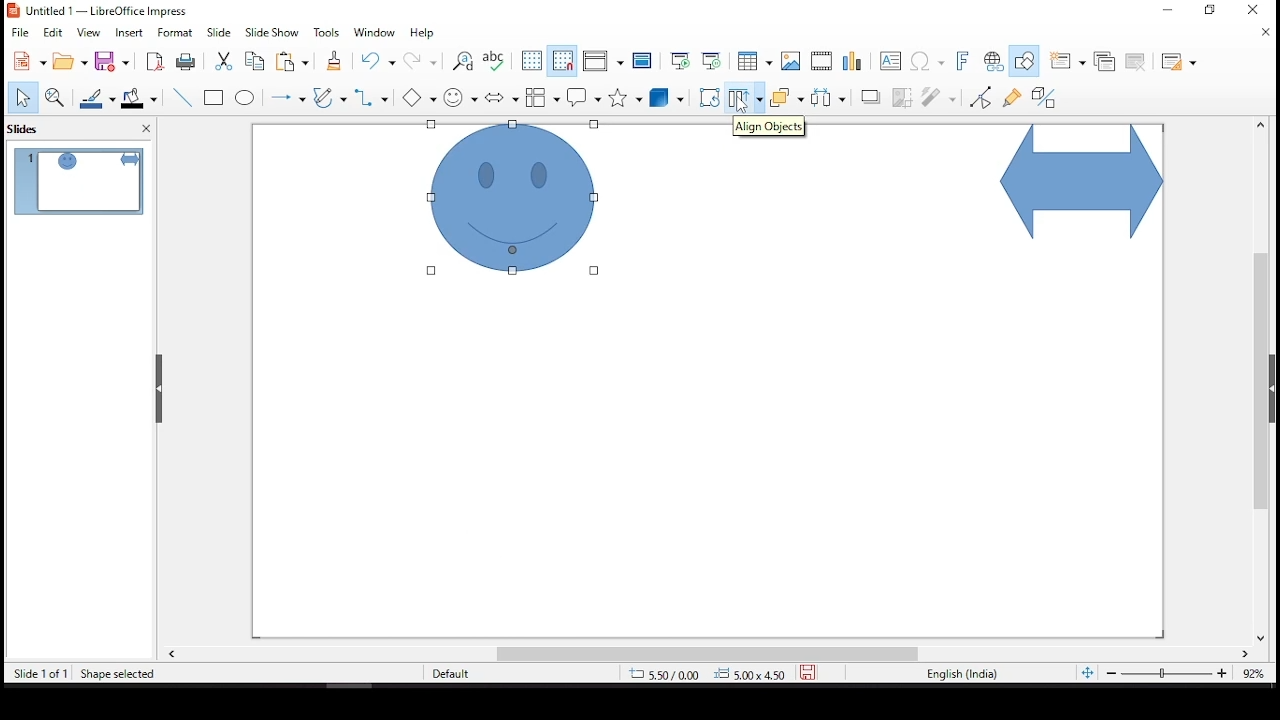  I want to click on filter, so click(940, 94).